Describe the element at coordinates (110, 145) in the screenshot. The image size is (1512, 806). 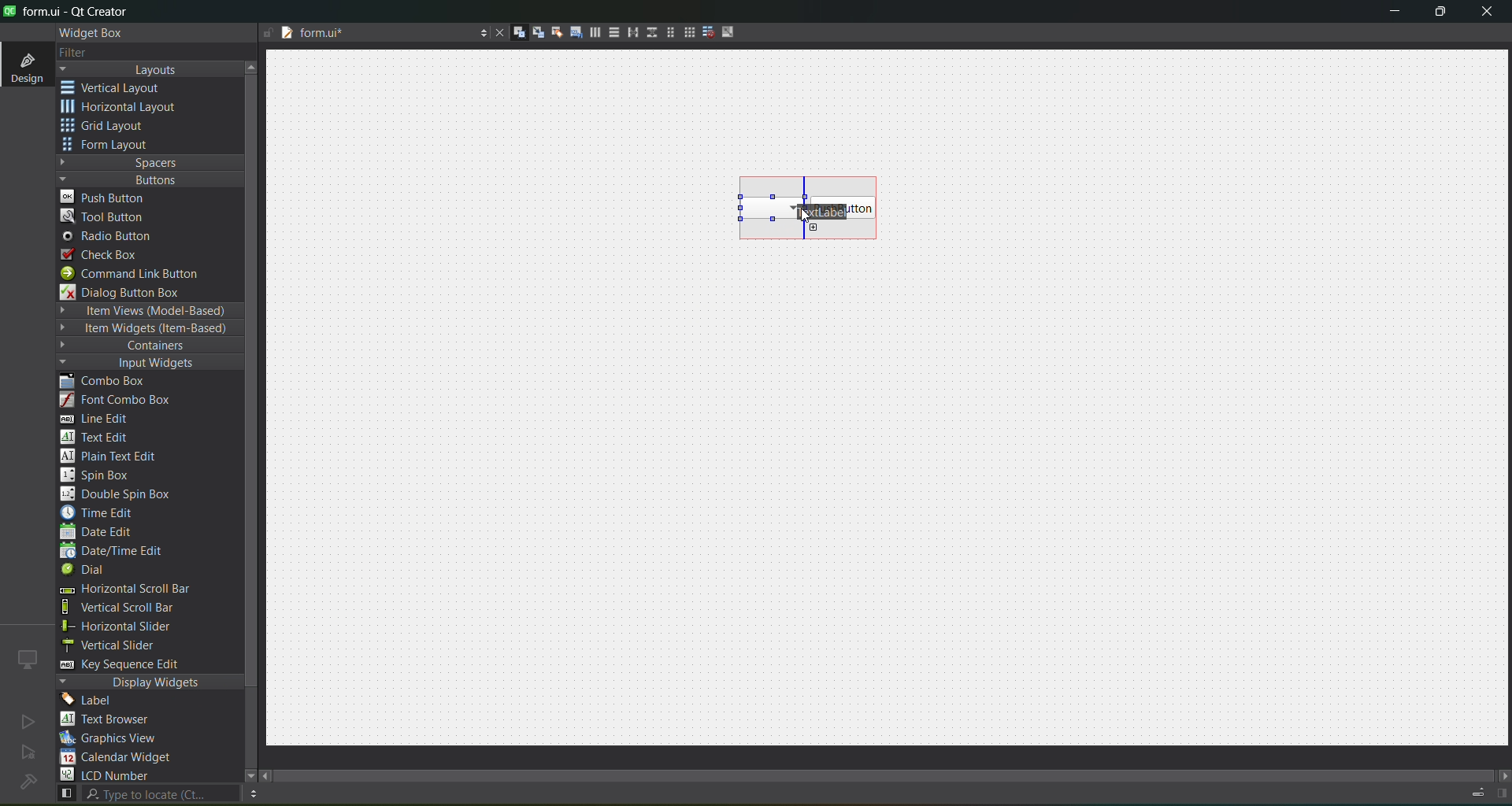
I see `form` at that location.